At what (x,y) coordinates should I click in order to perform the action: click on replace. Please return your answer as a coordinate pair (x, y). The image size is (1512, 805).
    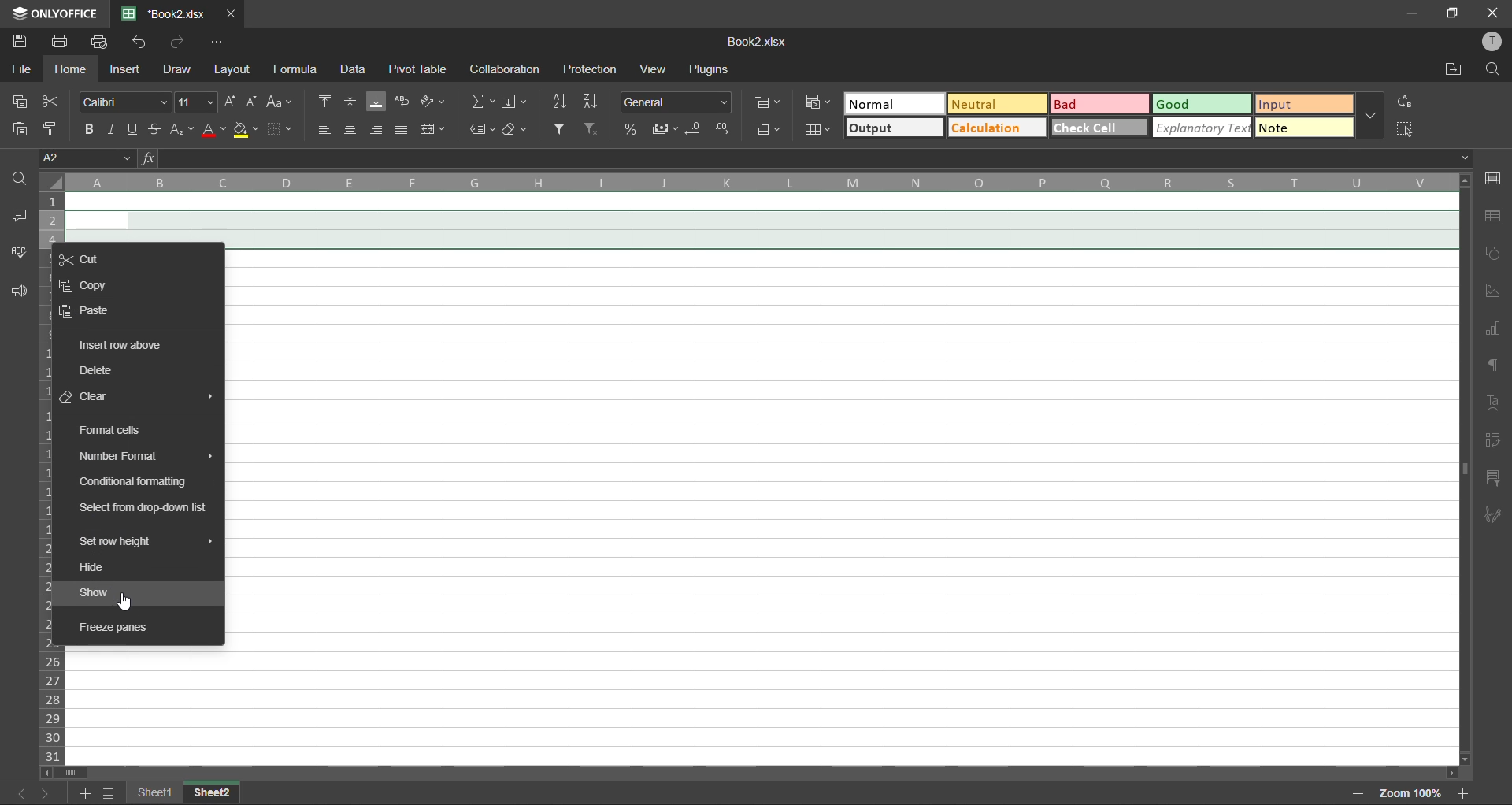
    Looking at the image, I should click on (1403, 102).